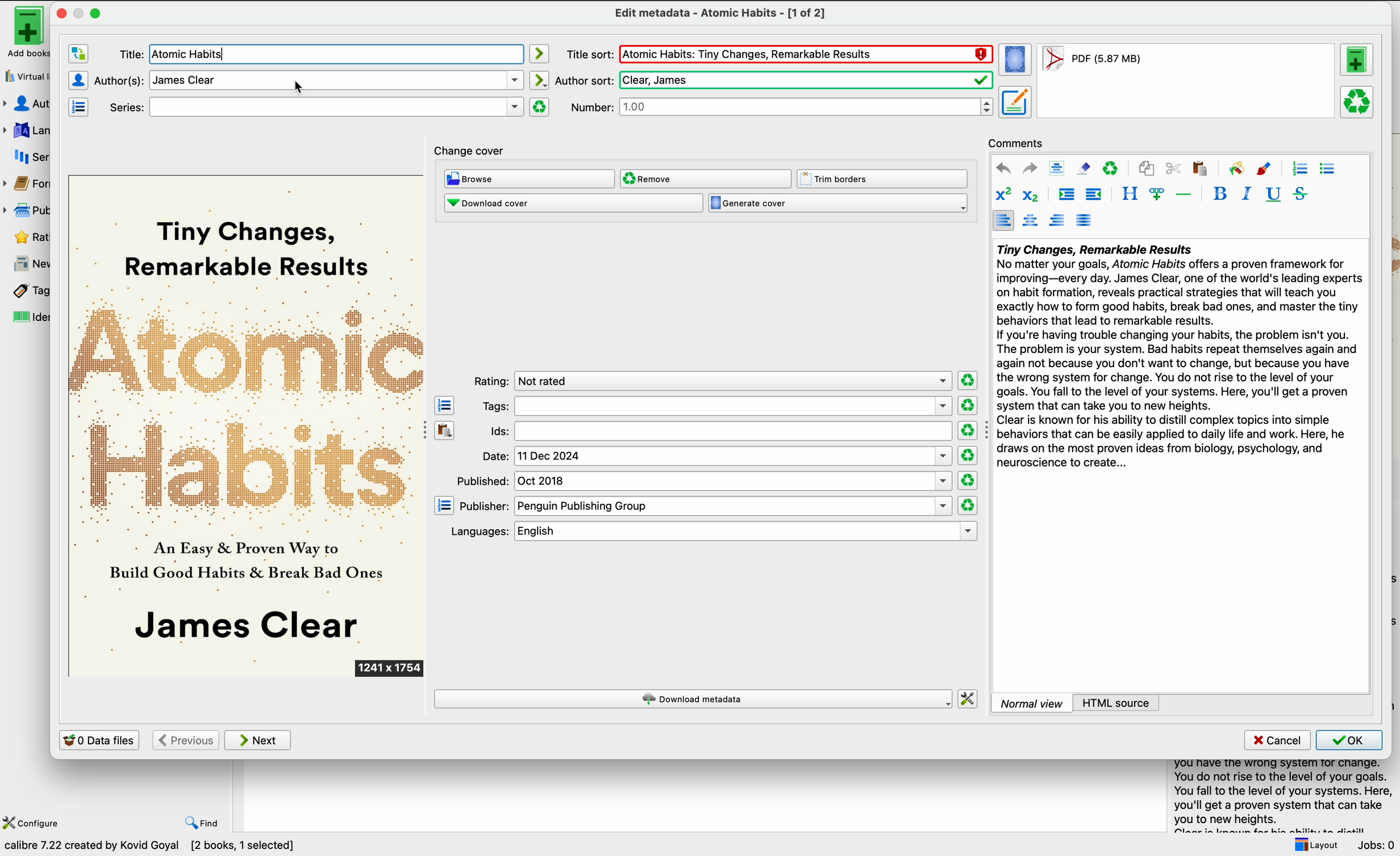  What do you see at coordinates (1030, 169) in the screenshot?
I see `redo` at bounding box center [1030, 169].